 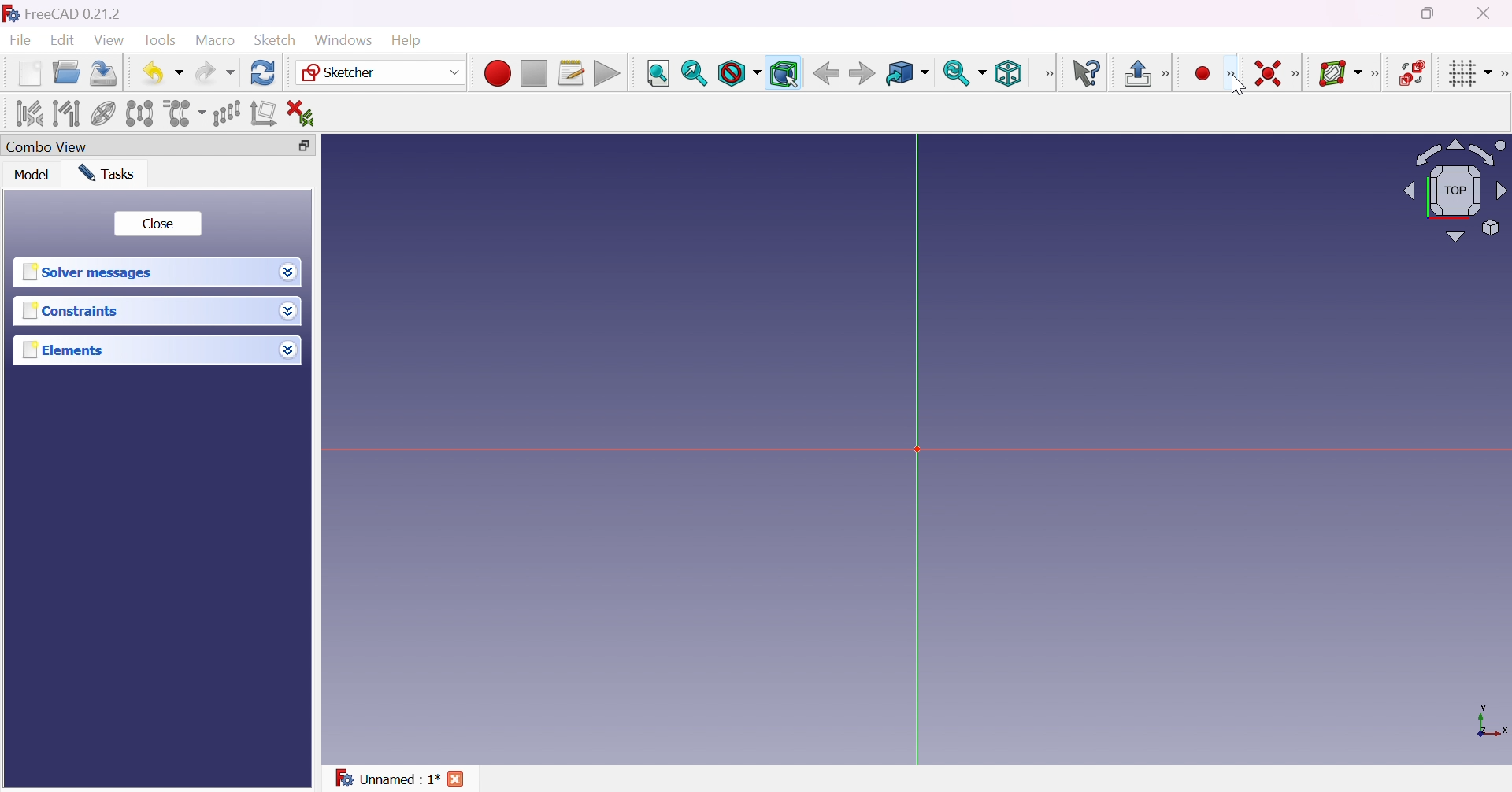 I want to click on Forward, so click(x=863, y=72).